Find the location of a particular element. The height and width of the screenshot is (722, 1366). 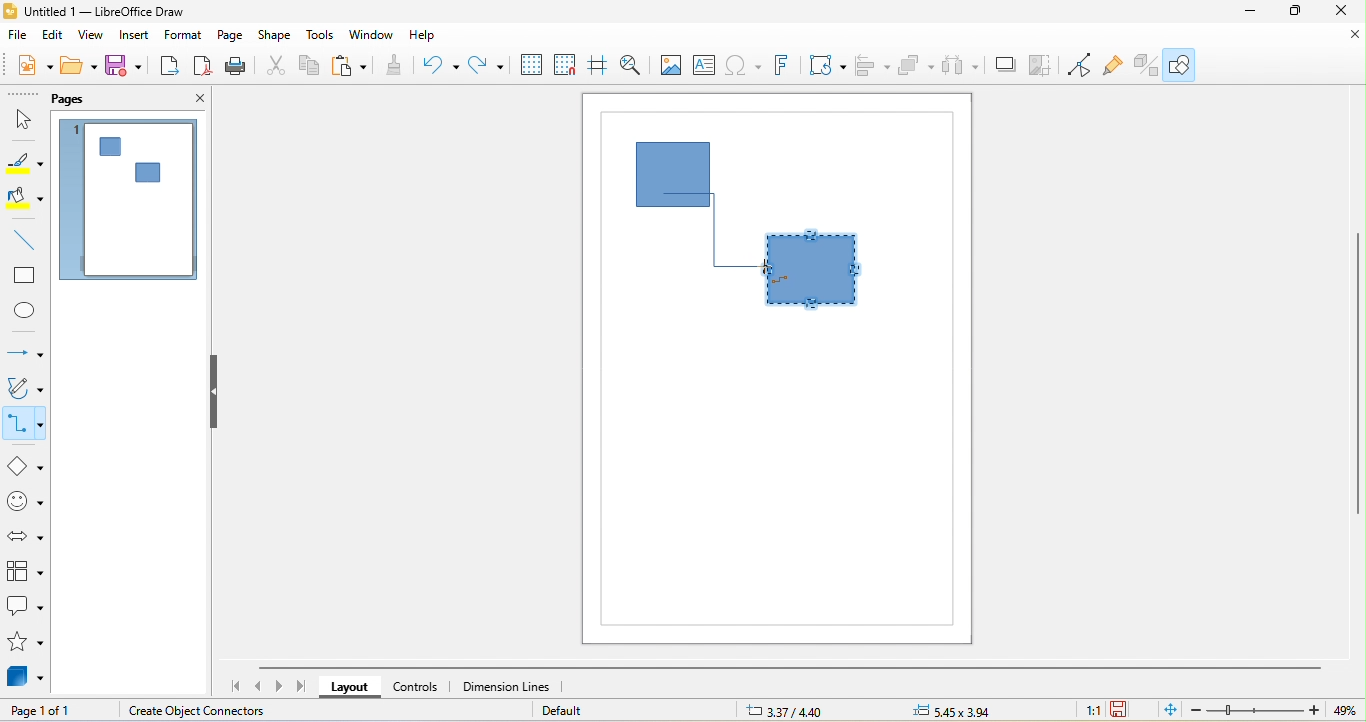

flow chart is located at coordinates (27, 572).